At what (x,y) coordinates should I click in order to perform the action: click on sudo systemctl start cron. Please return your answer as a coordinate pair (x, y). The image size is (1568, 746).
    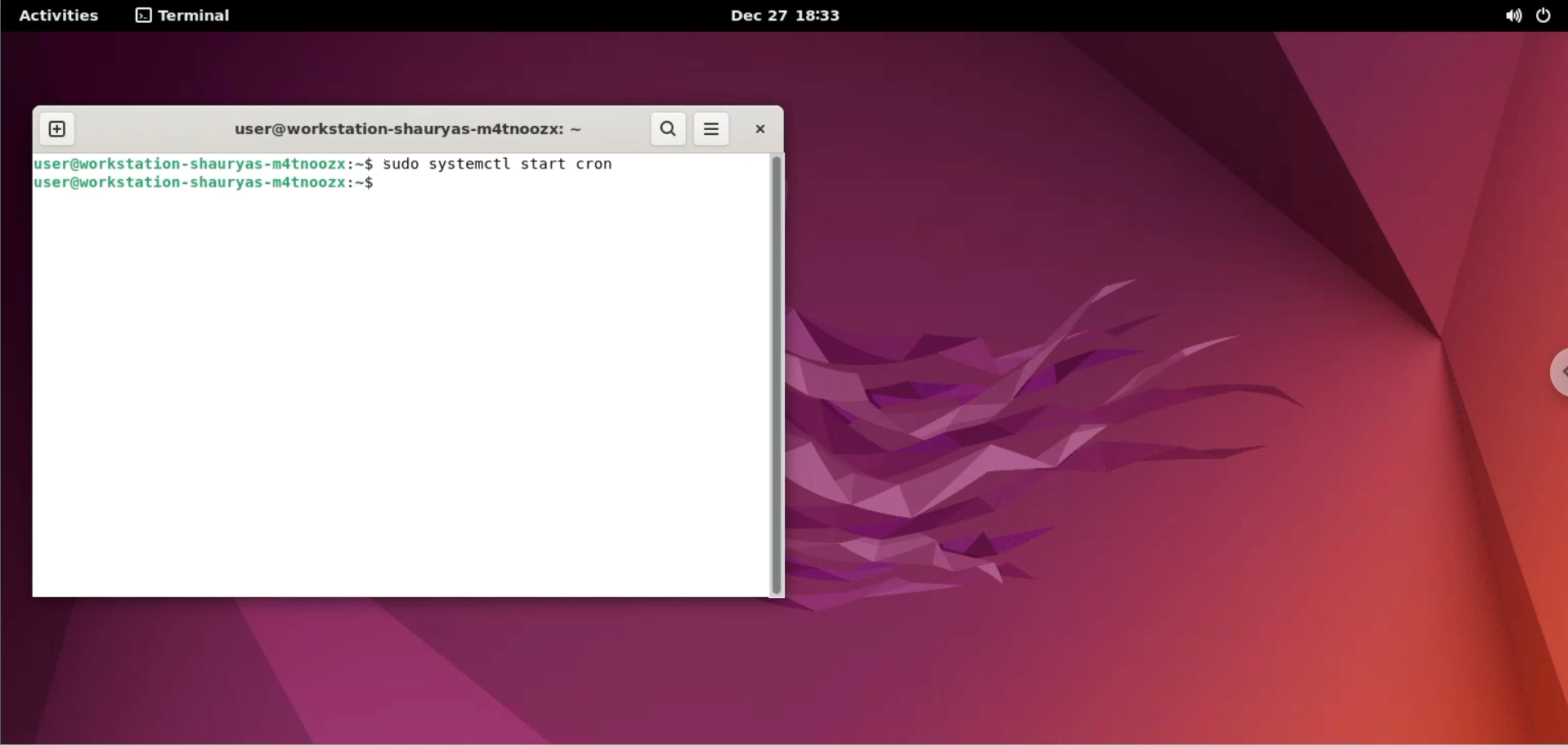
    Looking at the image, I should click on (515, 164).